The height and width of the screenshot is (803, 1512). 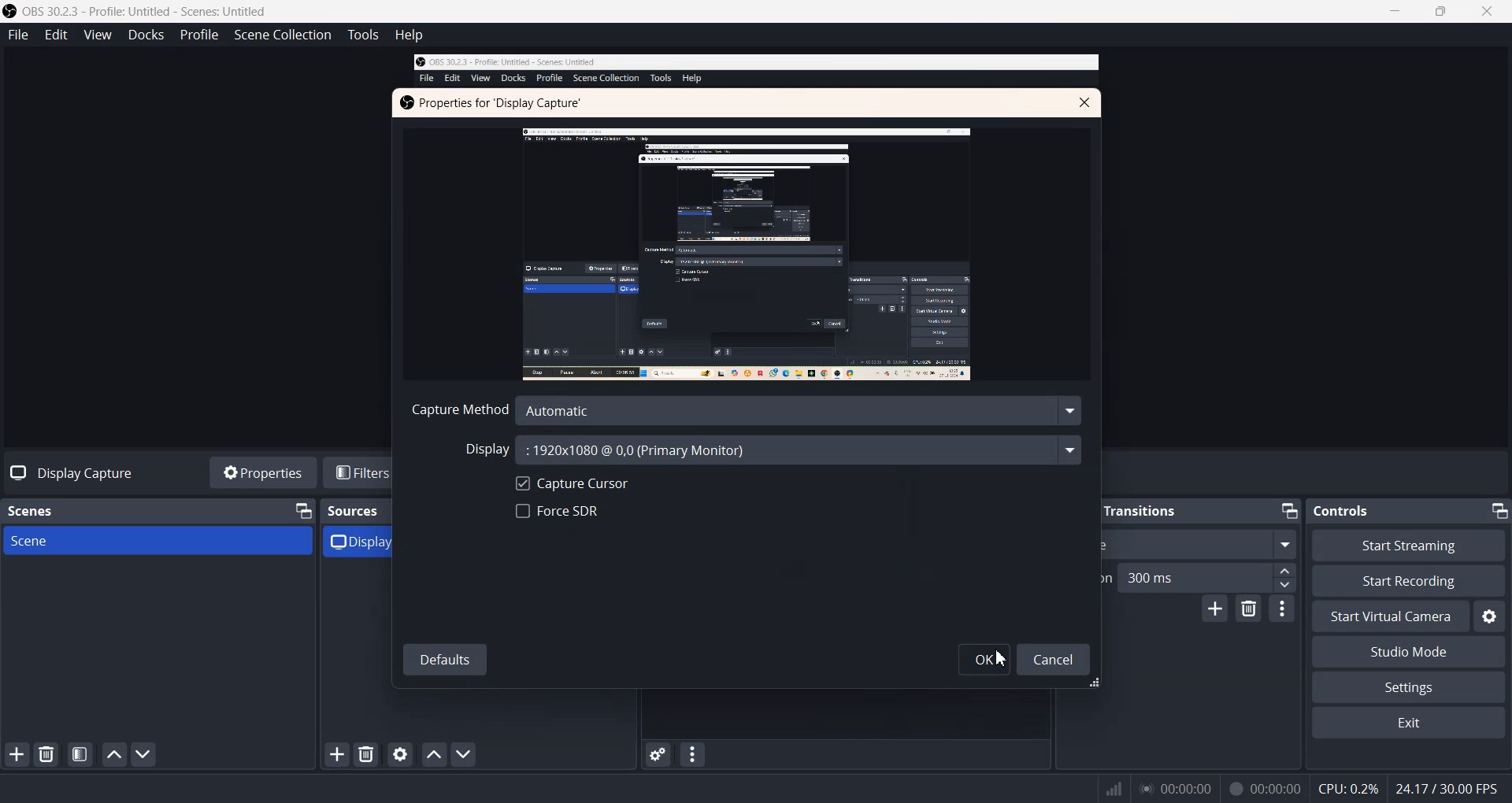 I want to click on Minimize, so click(x=1497, y=510).